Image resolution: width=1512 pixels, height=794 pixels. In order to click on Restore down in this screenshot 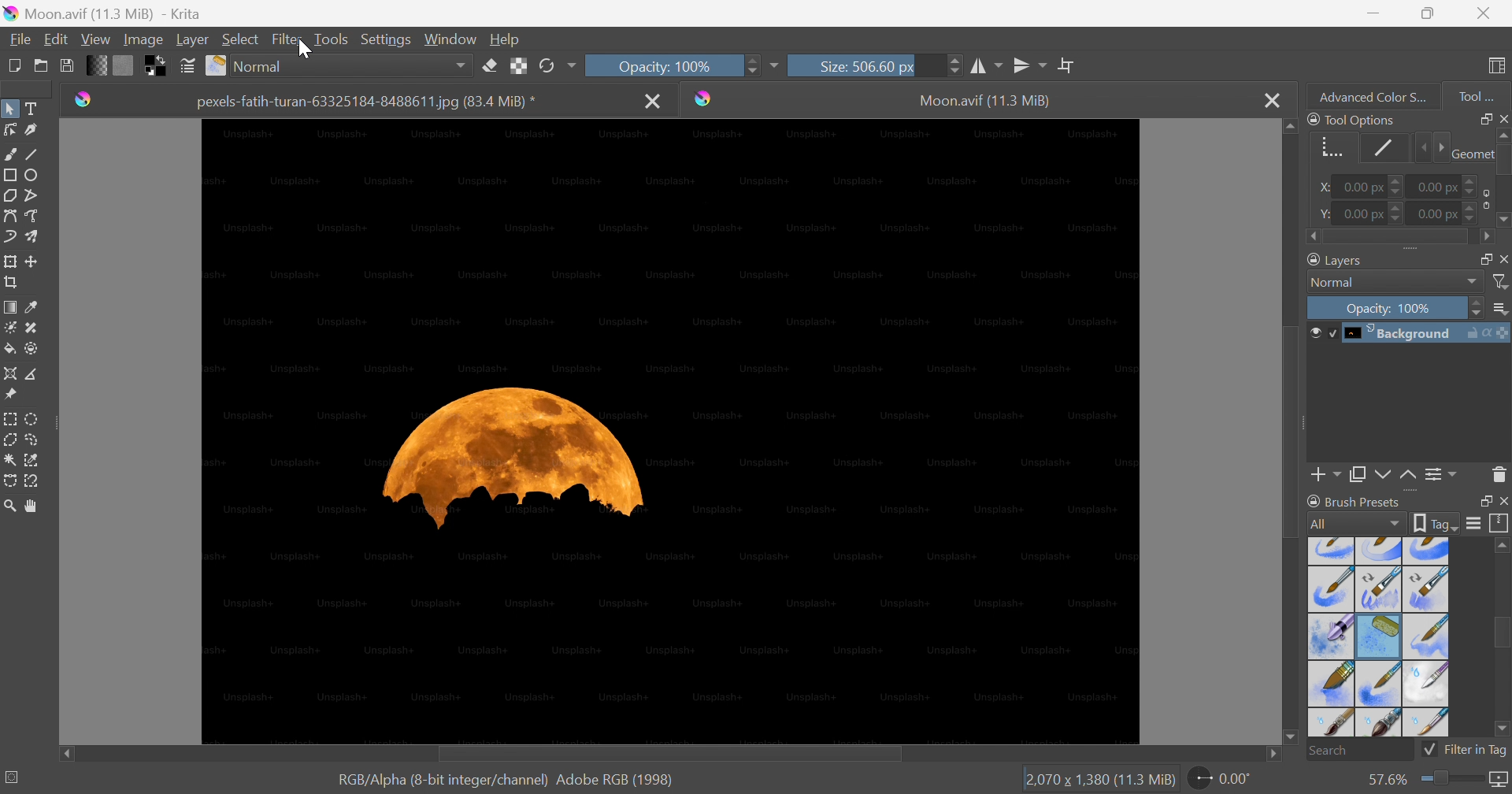, I will do `click(1480, 500)`.